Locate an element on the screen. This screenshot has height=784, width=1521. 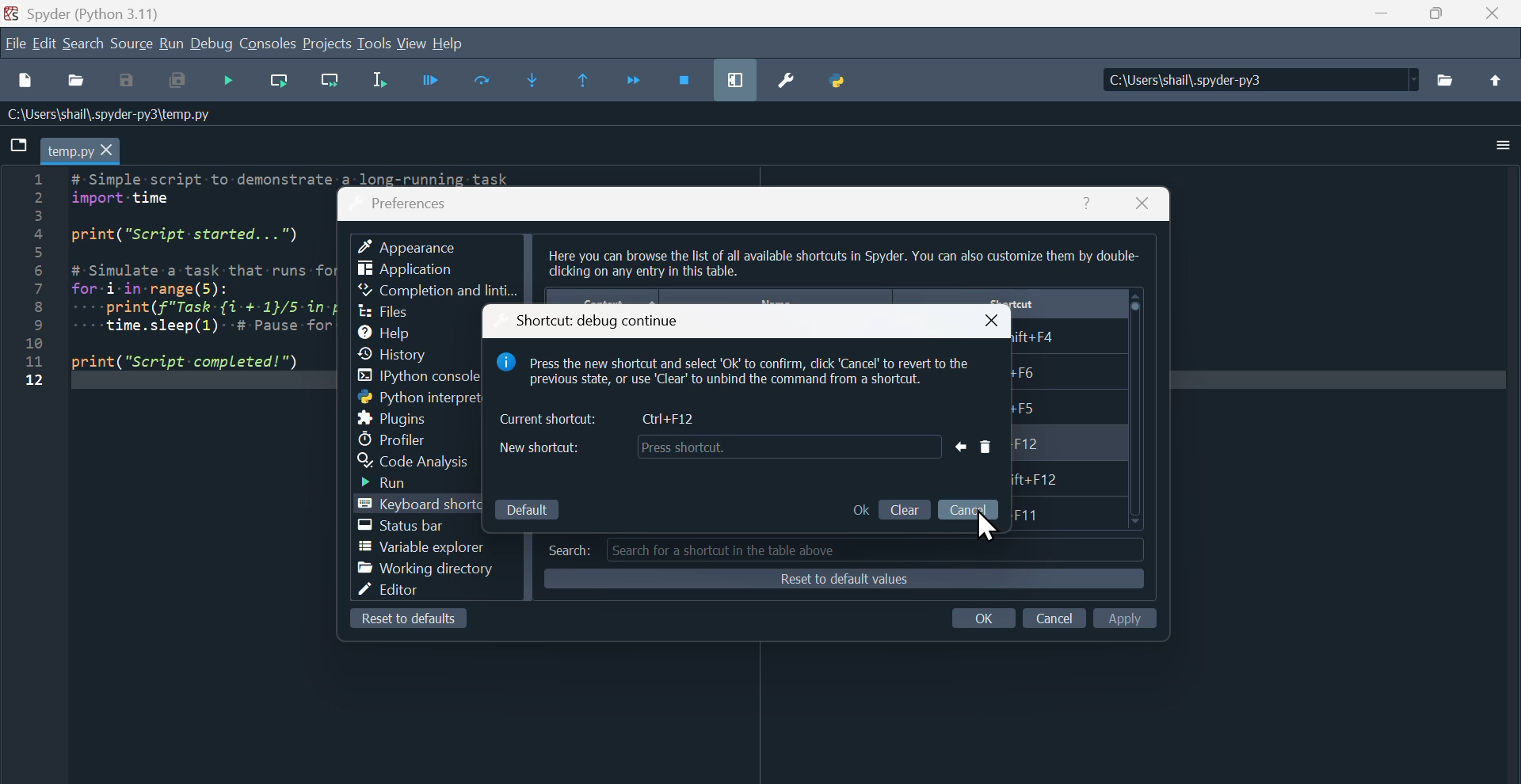
Python code is located at coordinates (155, 287).